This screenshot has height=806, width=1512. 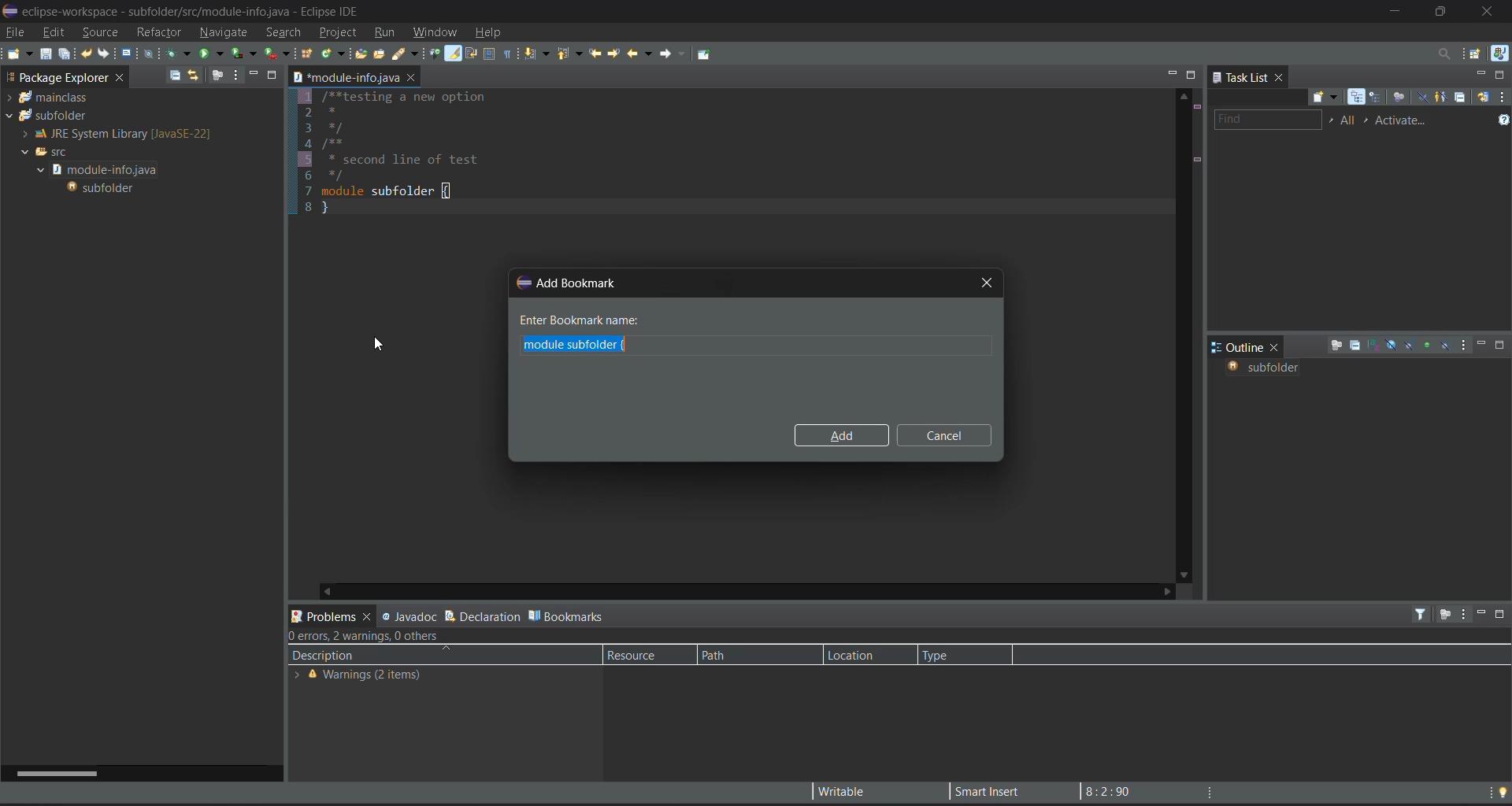 What do you see at coordinates (213, 52) in the screenshot?
I see `run` at bounding box center [213, 52].